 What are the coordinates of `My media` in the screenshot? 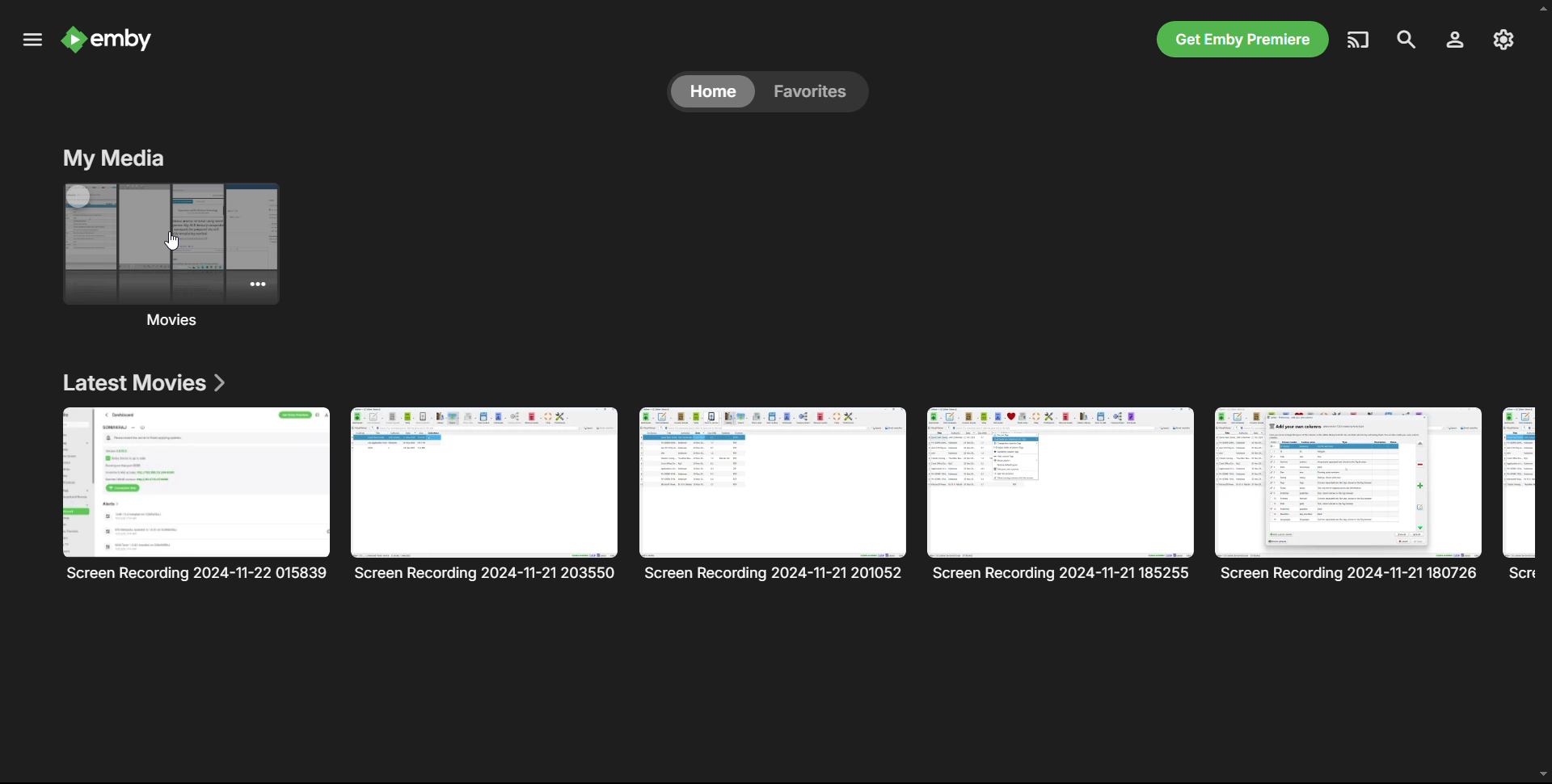 It's located at (113, 158).